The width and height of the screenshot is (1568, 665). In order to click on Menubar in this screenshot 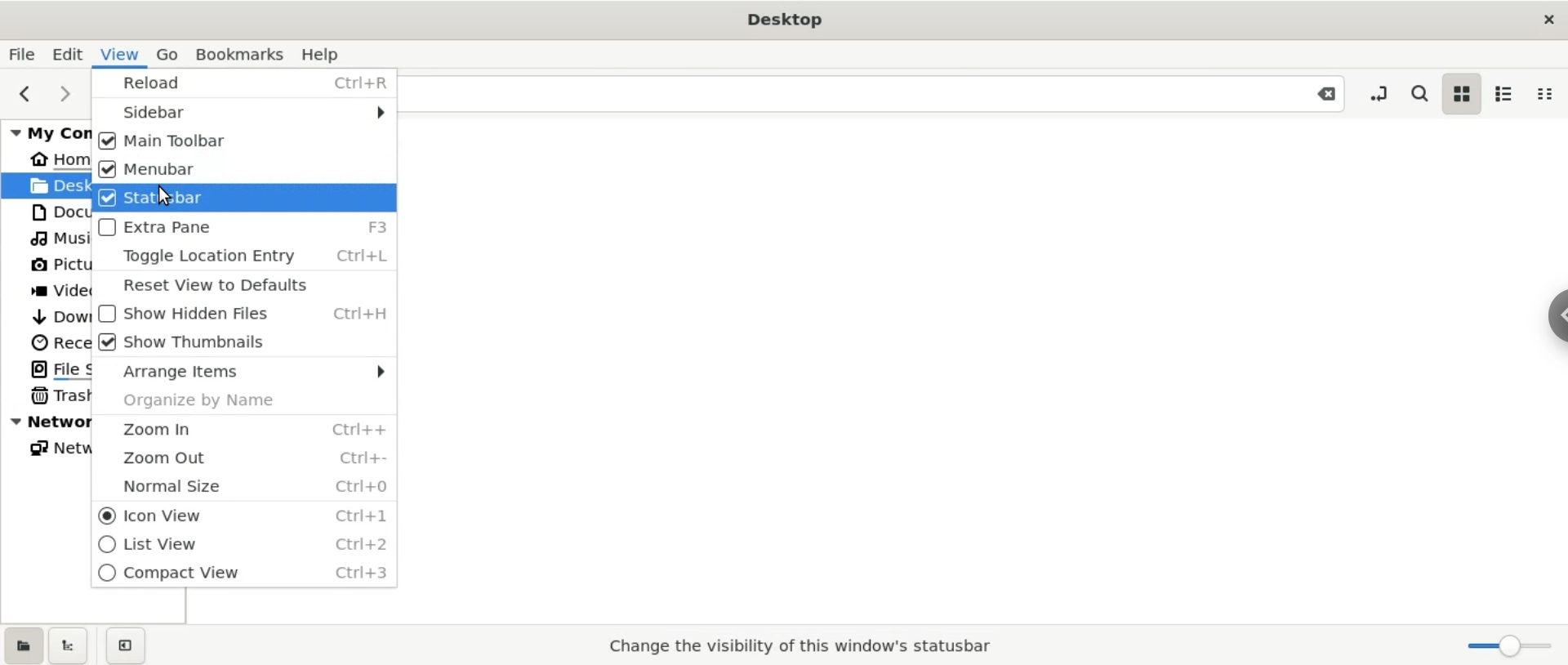, I will do `click(242, 170)`.